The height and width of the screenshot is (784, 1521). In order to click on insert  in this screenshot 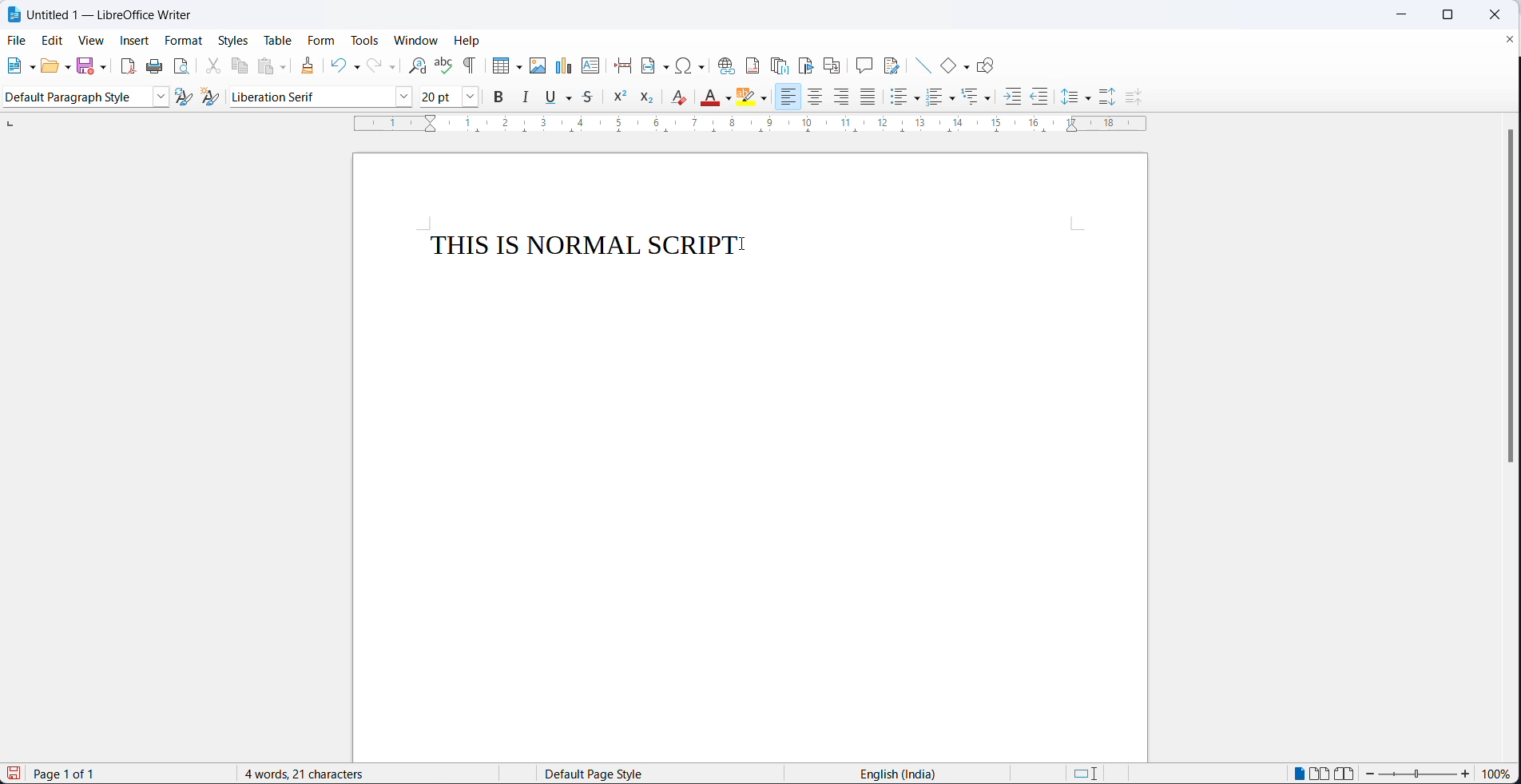, I will do `click(133, 42)`.